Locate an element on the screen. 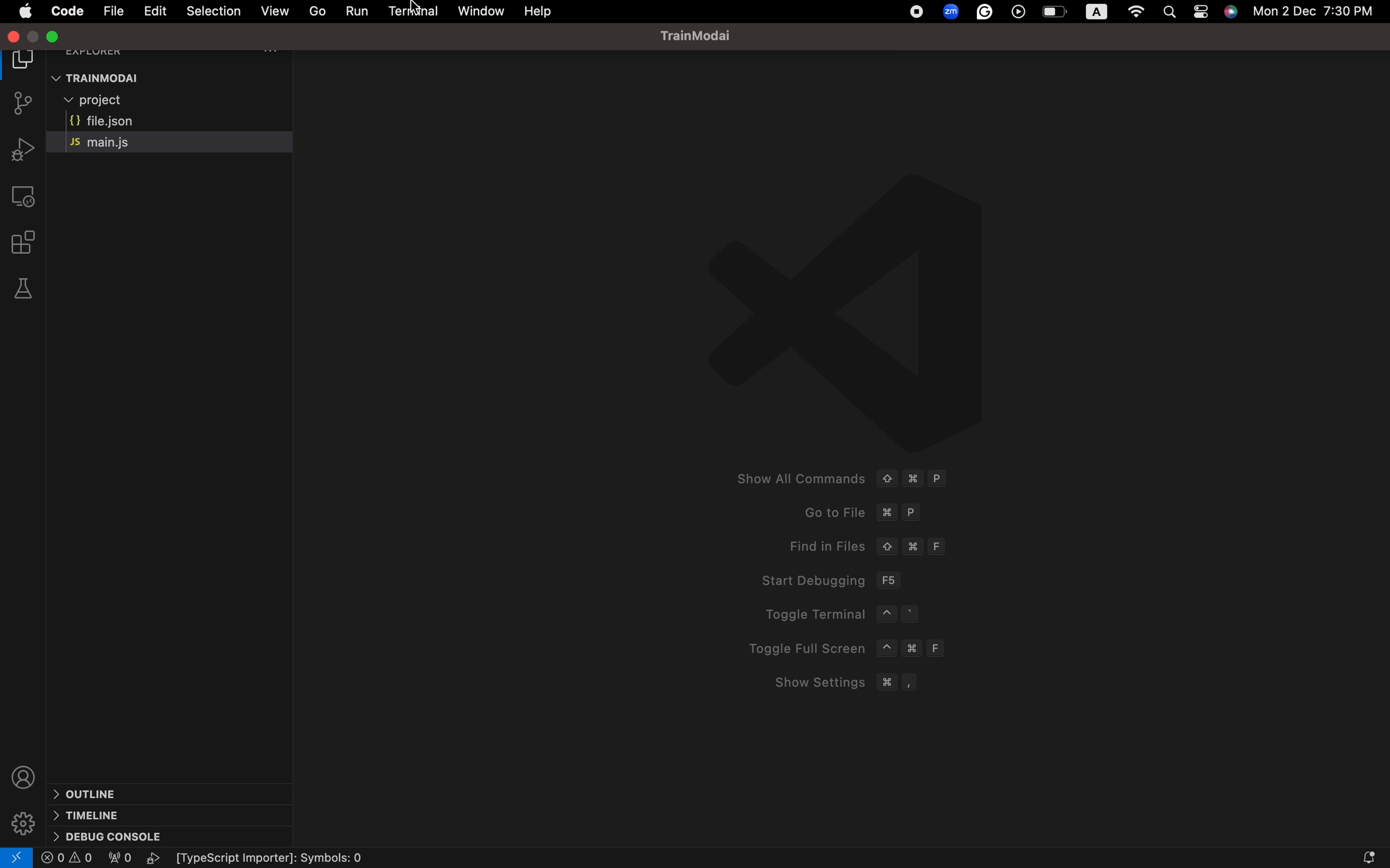 This screenshot has width=1390, height=868.  is located at coordinates (66, 12).